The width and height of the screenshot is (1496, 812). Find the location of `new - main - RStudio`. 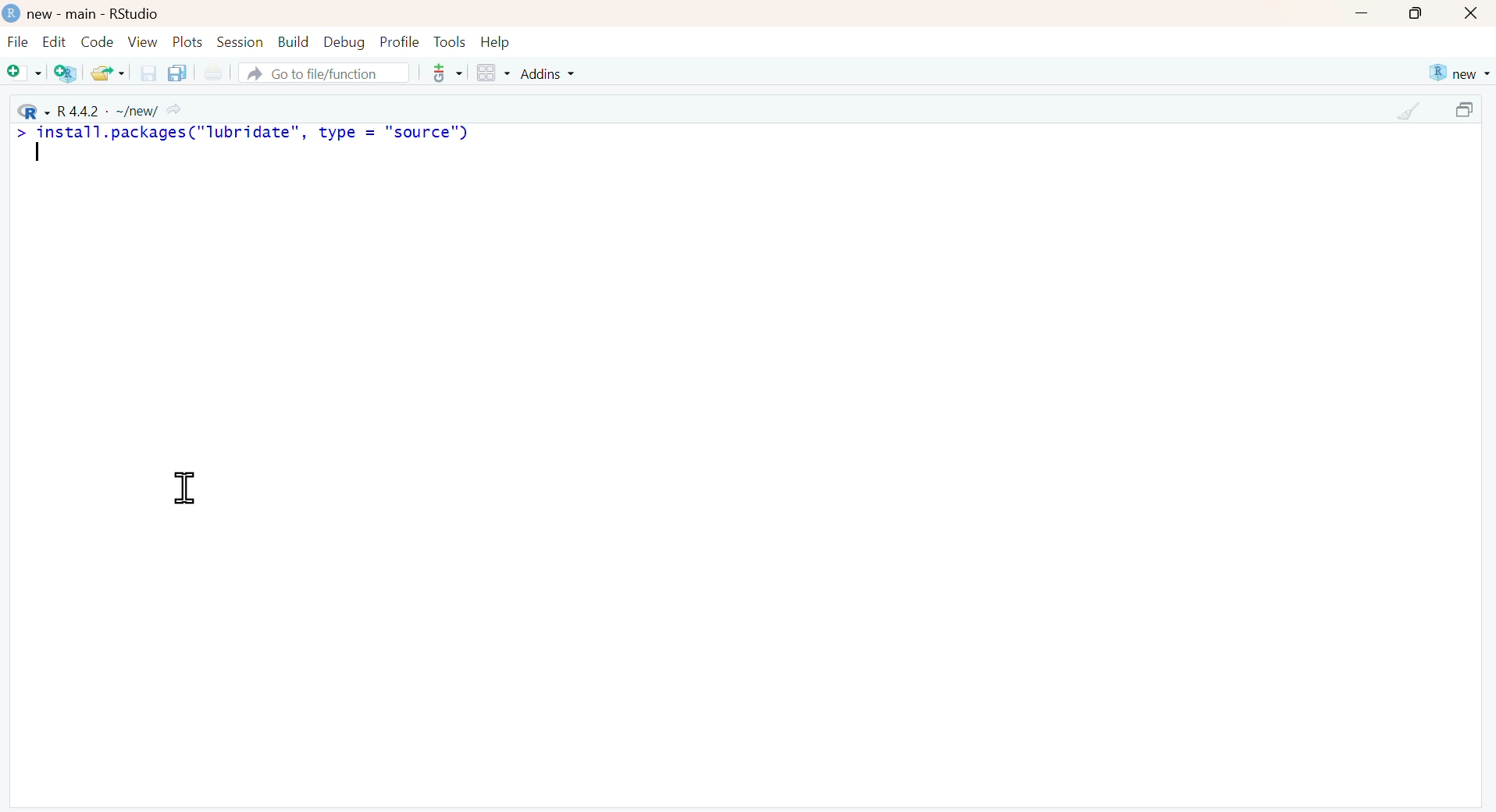

new - main - RStudio is located at coordinates (95, 14).